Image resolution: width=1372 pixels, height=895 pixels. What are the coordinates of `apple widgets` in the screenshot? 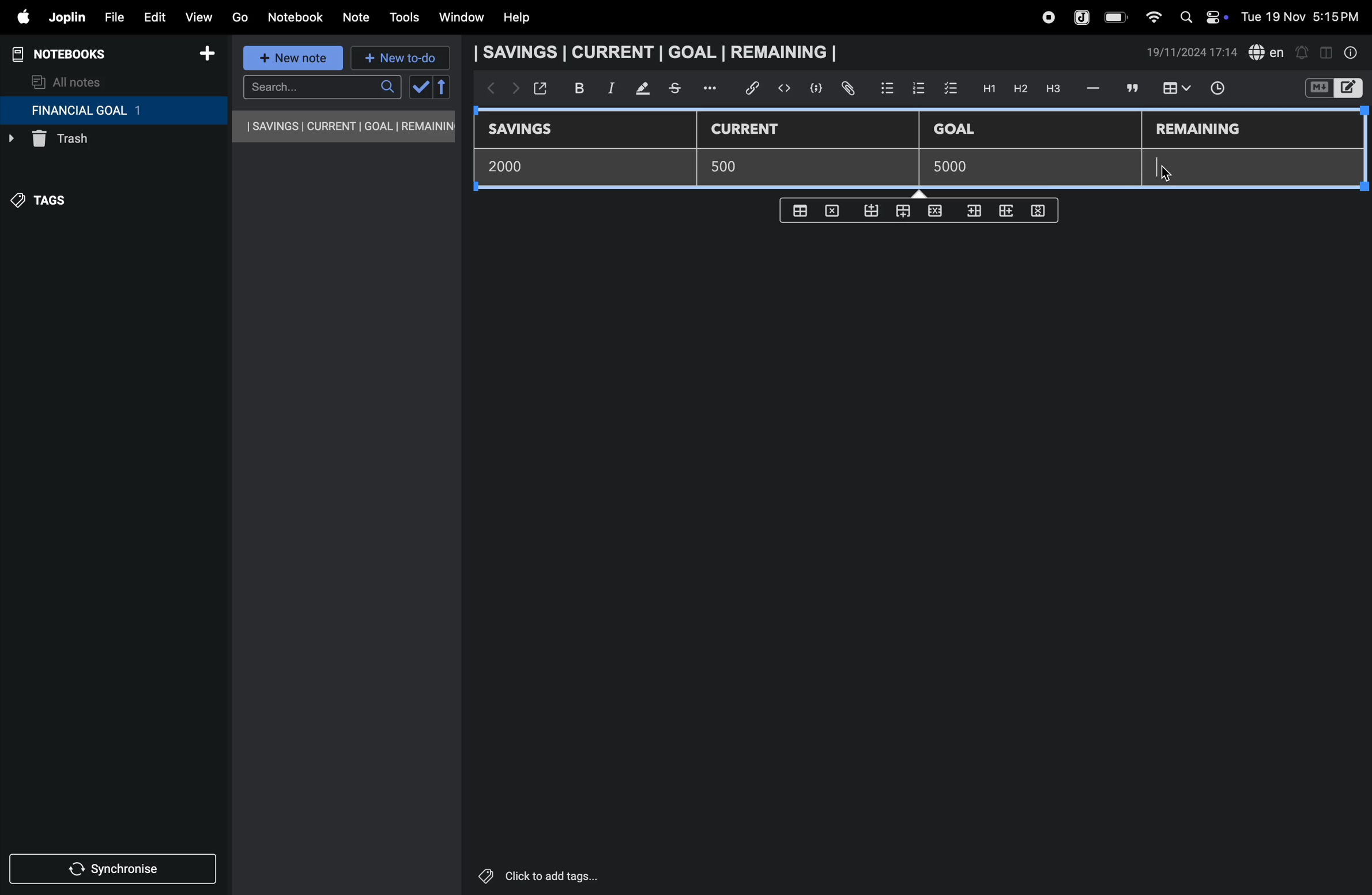 It's located at (1201, 16).